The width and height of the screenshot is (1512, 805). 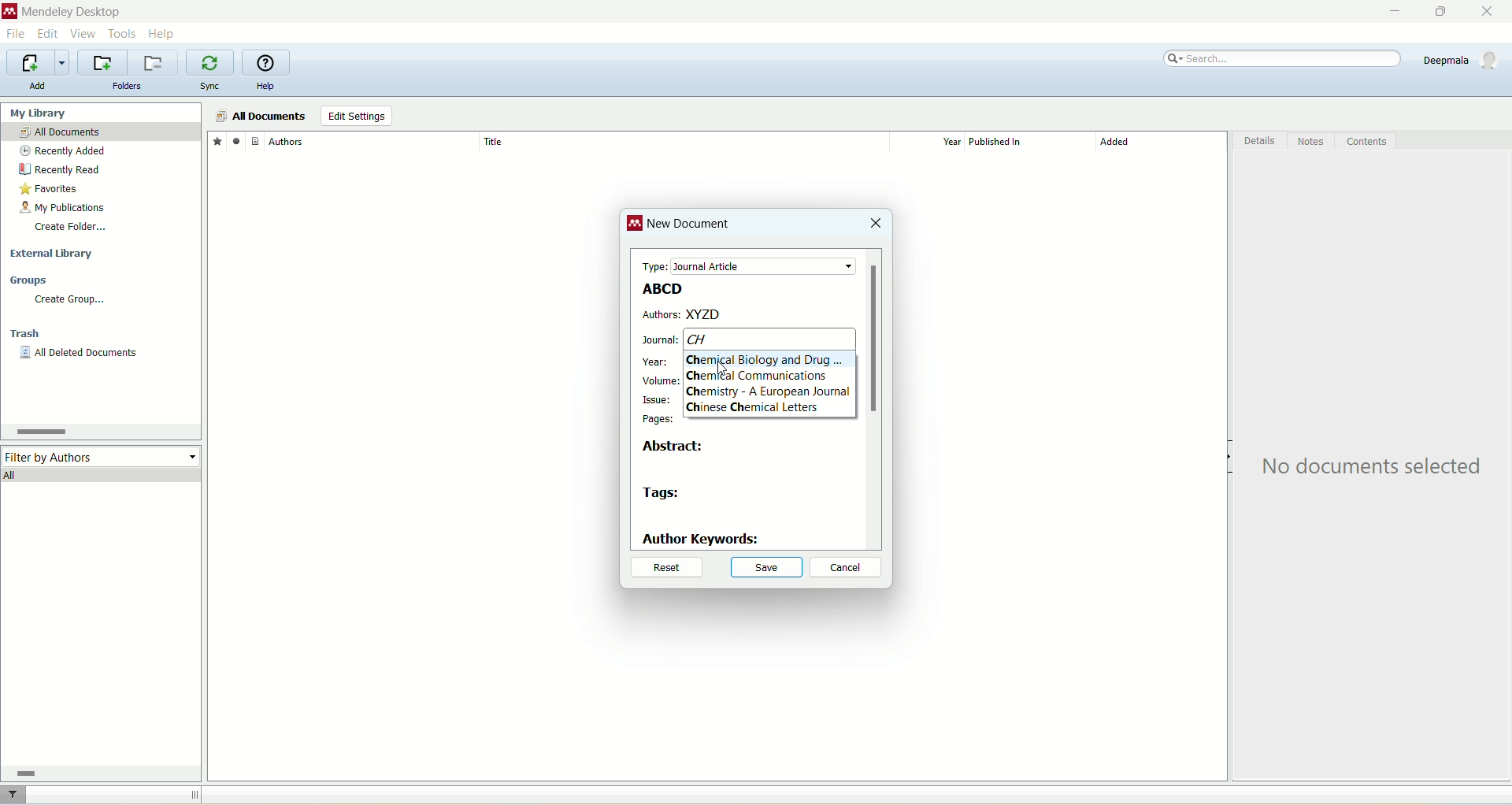 I want to click on add, so click(x=37, y=86).